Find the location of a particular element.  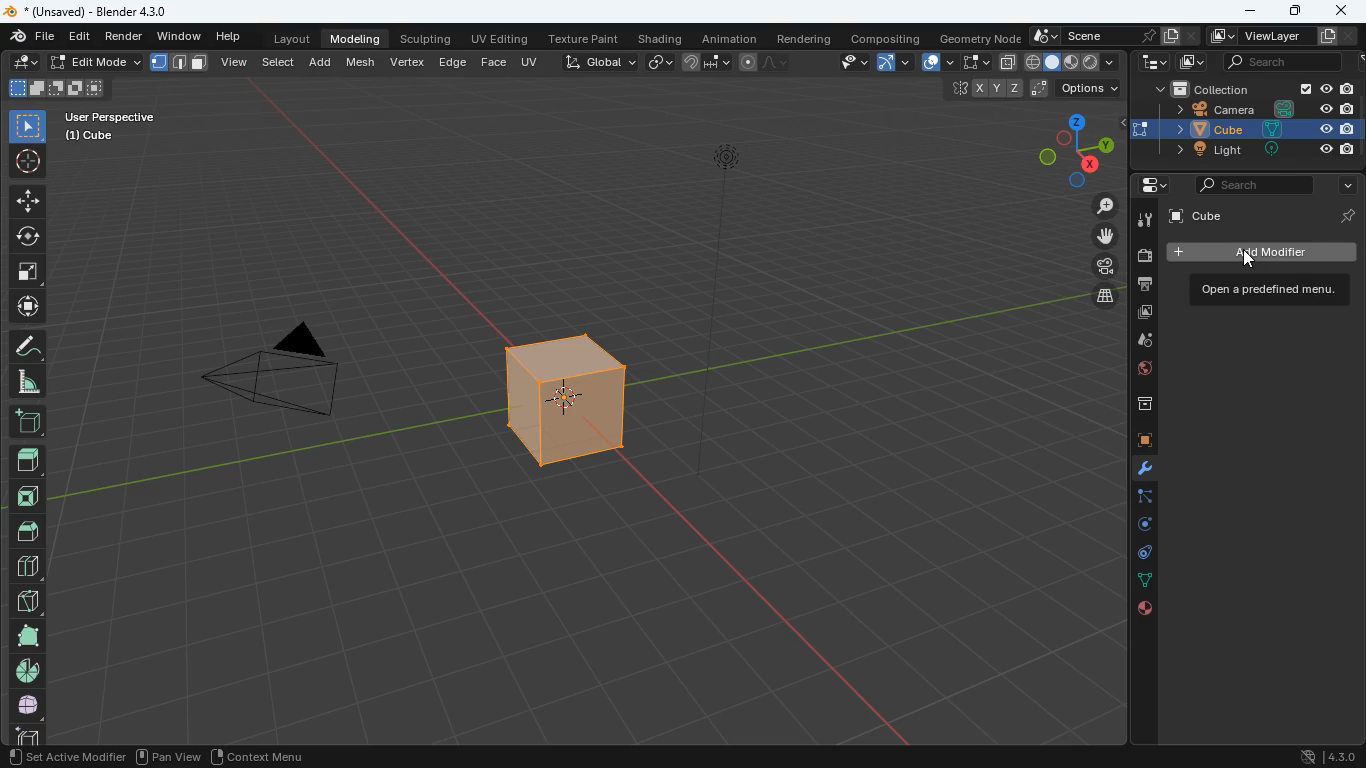

rendering is located at coordinates (807, 38).